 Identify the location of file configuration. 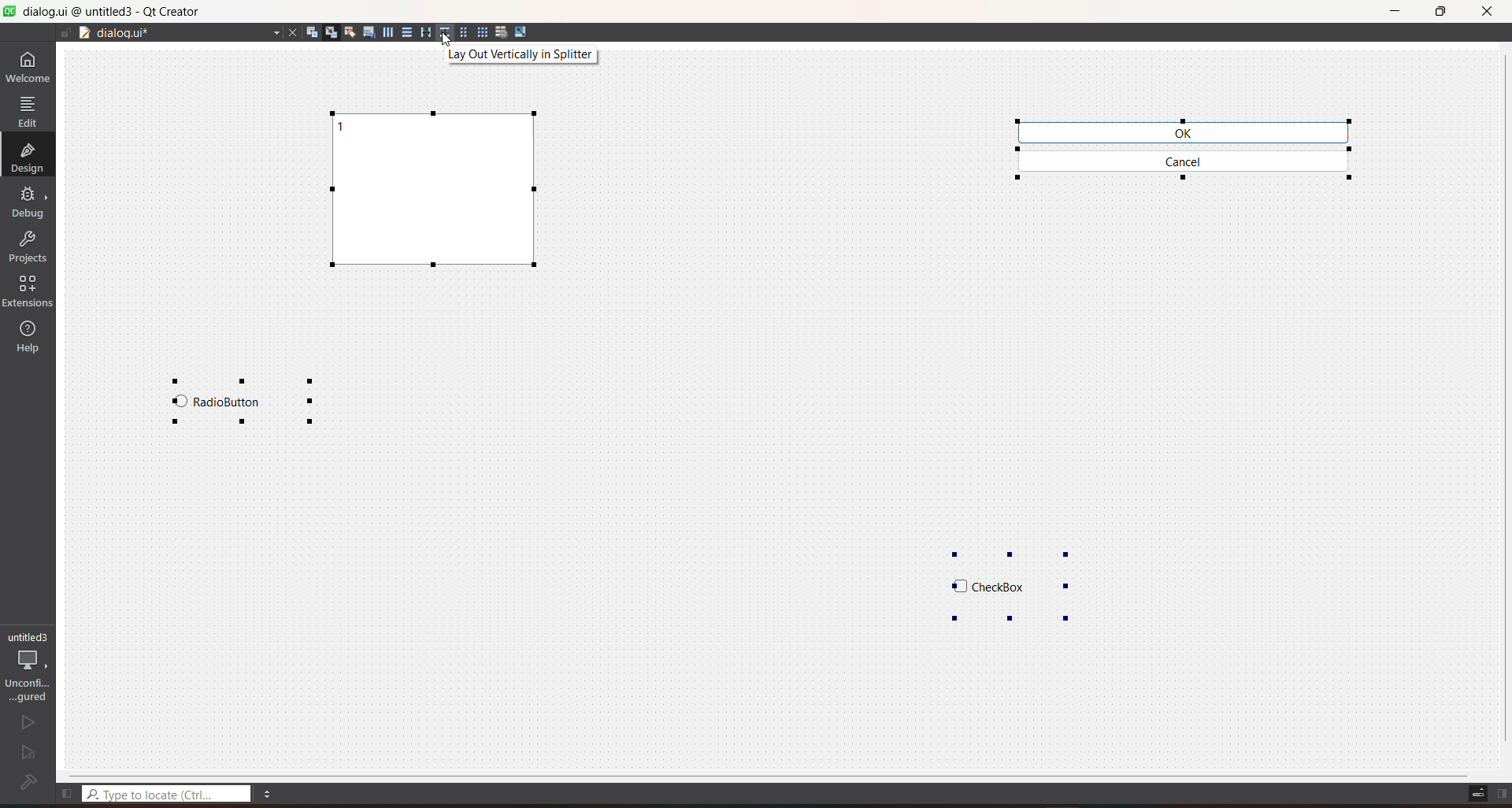
(27, 784).